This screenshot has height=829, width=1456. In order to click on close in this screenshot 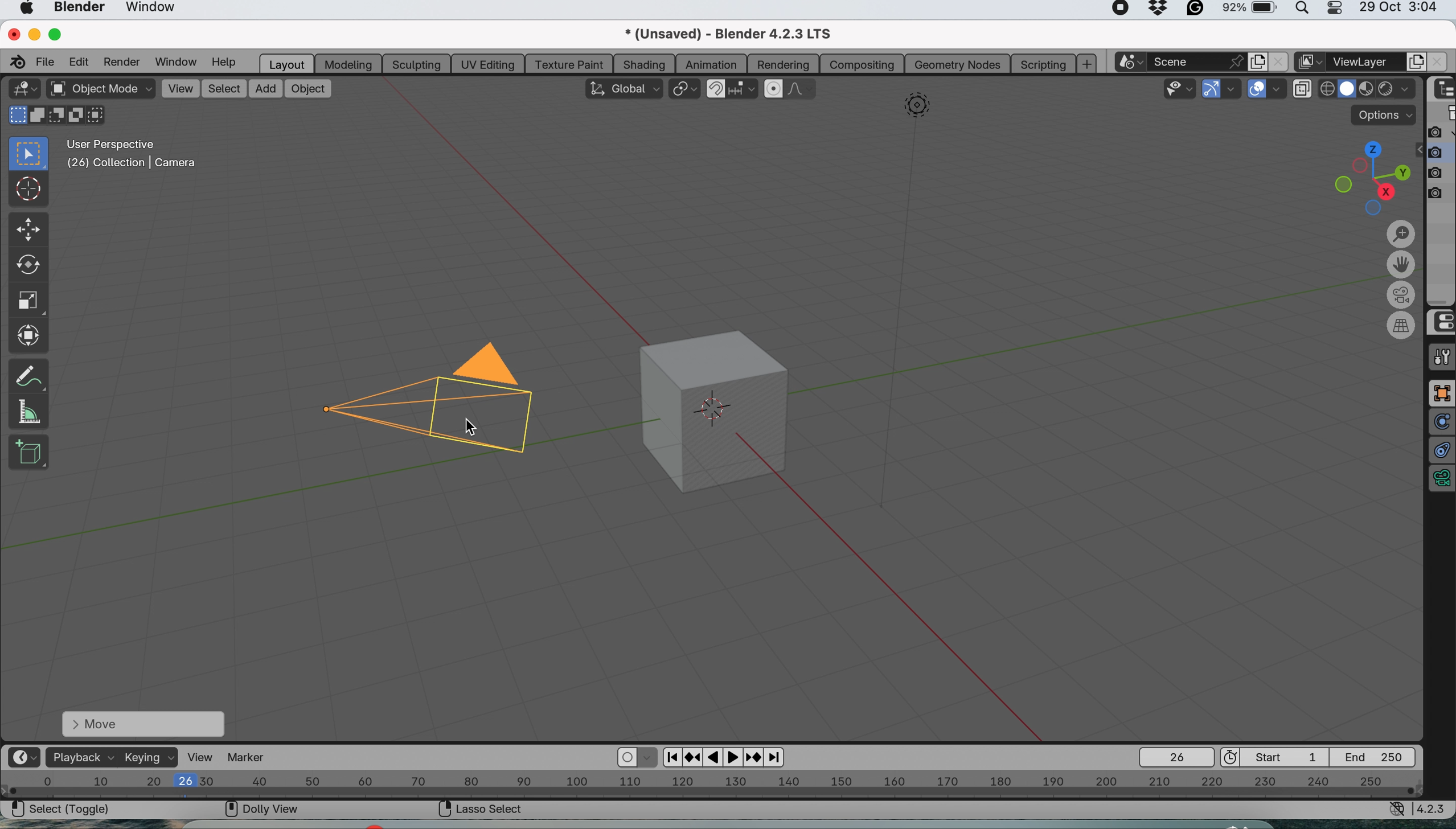, I will do `click(12, 32)`.